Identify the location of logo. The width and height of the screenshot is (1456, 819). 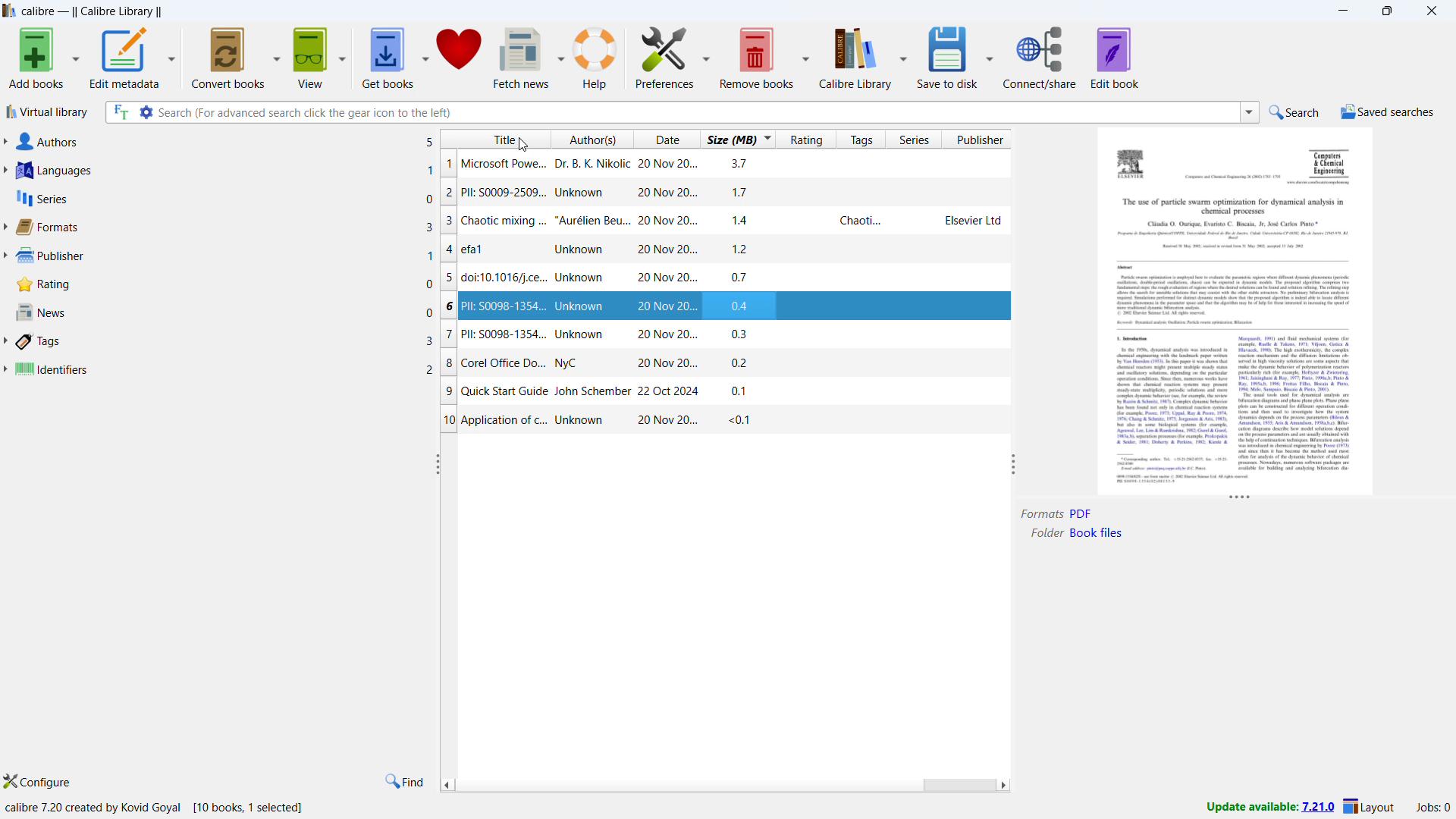
(9, 11).